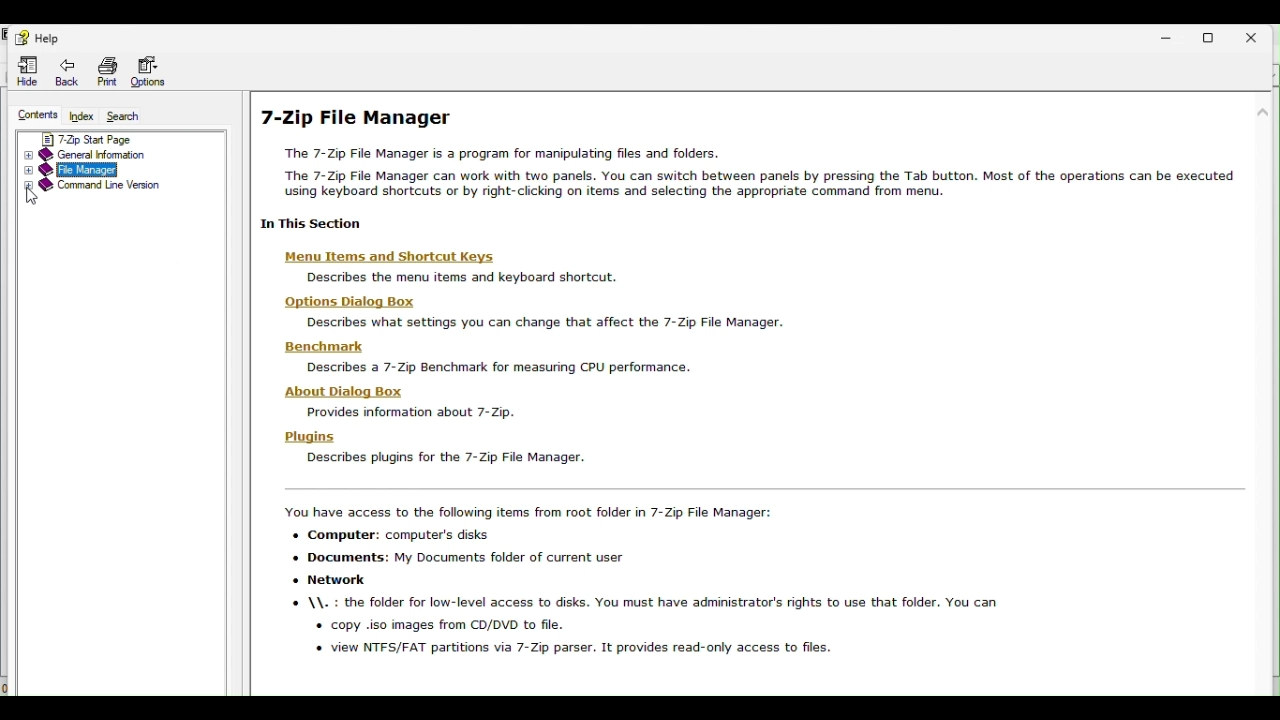 The width and height of the screenshot is (1280, 720). I want to click on ‘Menu Items and Shortcut Keys, so click(391, 257).